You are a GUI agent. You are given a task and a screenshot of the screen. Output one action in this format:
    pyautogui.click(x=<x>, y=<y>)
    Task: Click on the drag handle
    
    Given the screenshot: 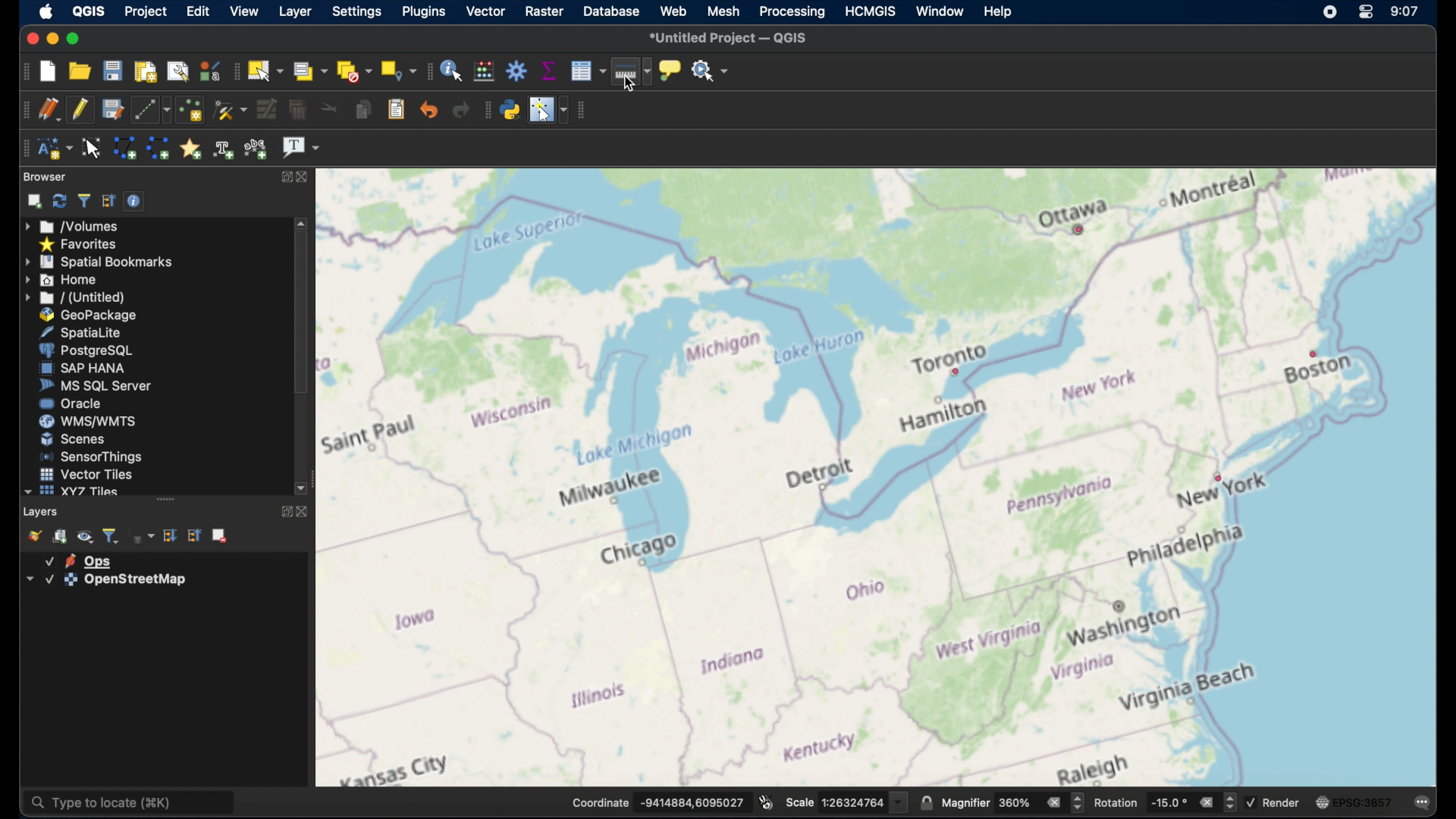 What is the action you would take?
    pyautogui.click(x=165, y=499)
    